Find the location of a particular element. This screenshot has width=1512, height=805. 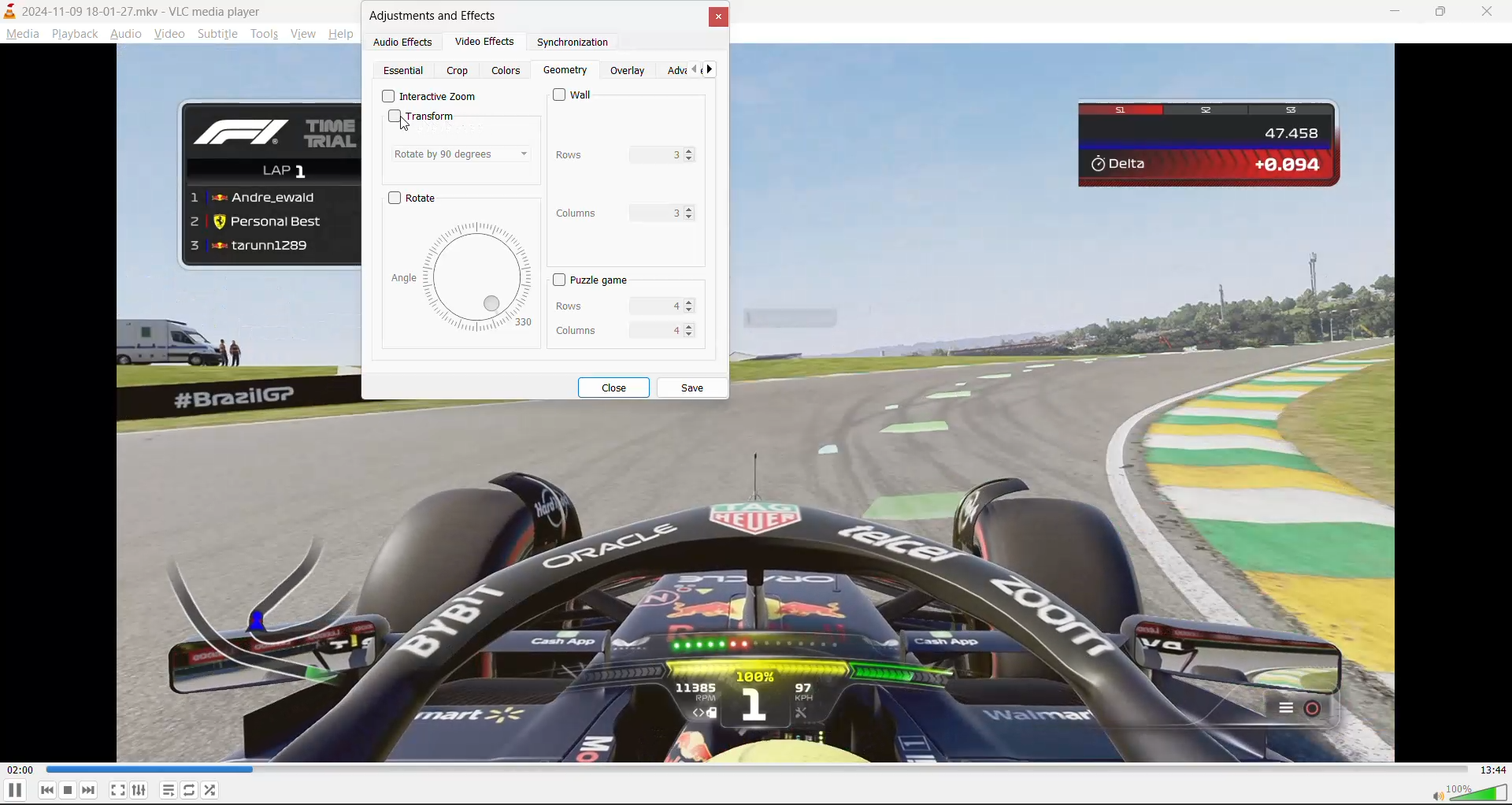

adjustments and  effects is located at coordinates (435, 17).